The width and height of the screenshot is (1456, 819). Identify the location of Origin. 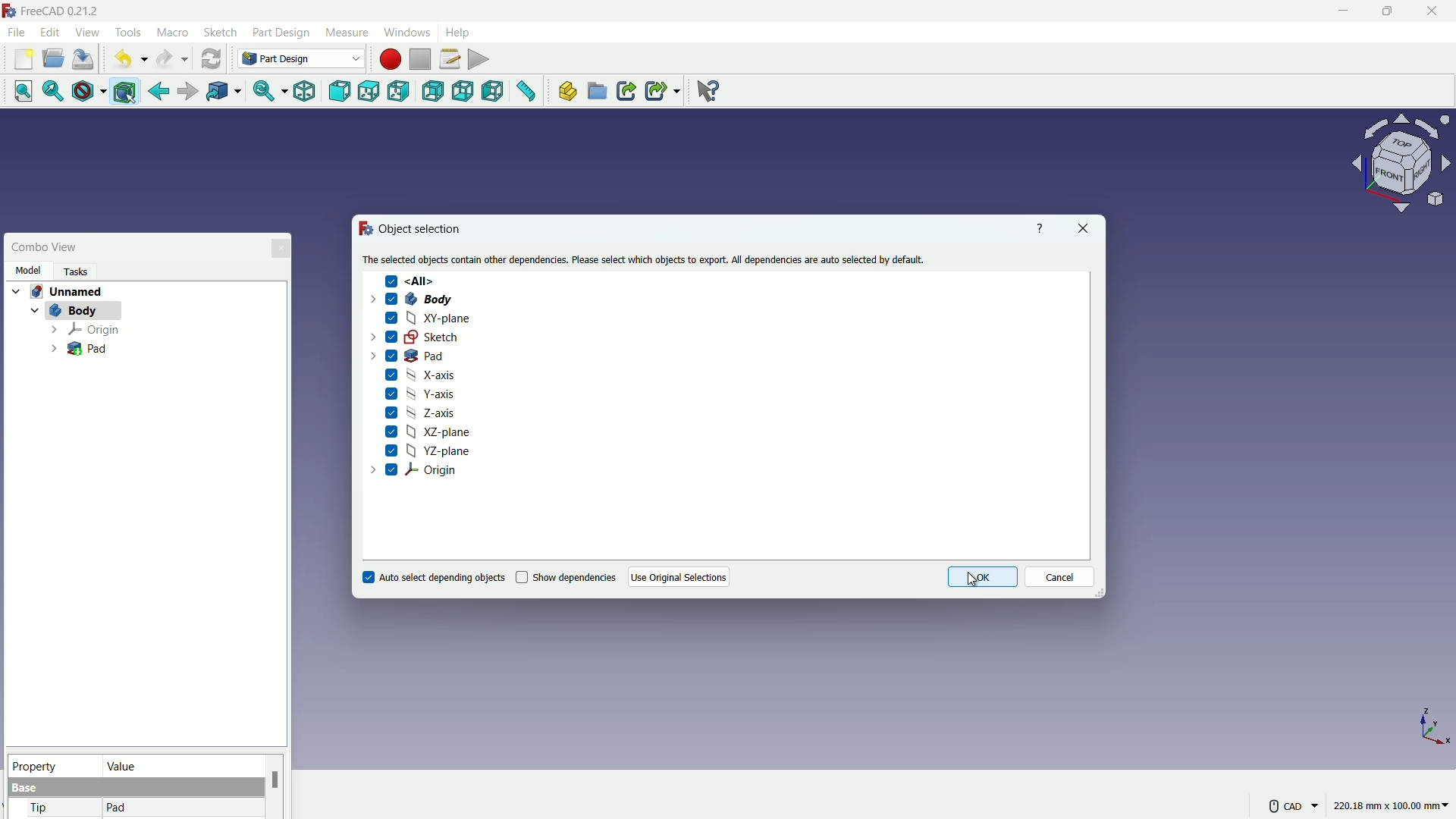
(84, 330).